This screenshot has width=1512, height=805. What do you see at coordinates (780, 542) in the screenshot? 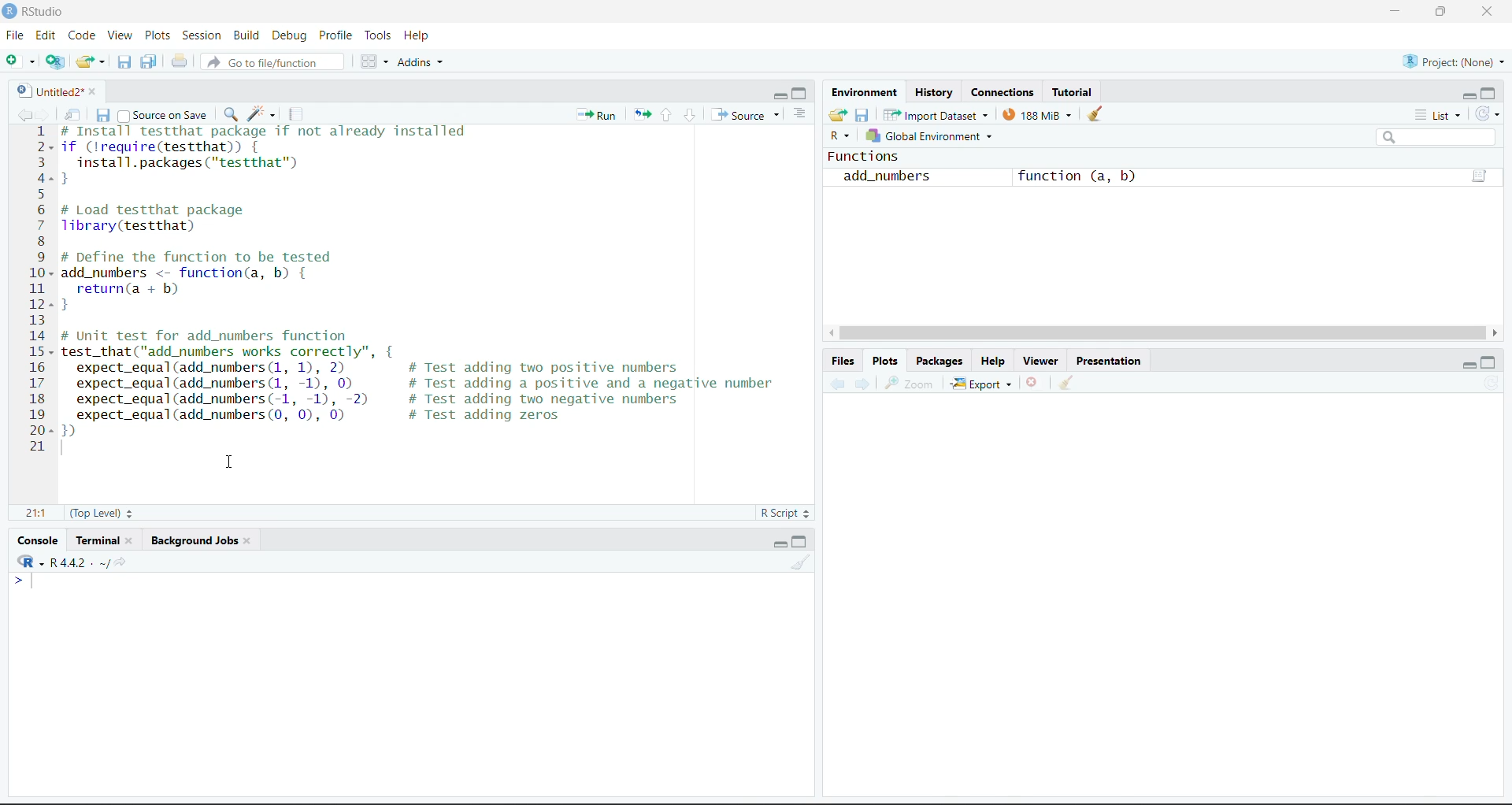
I see `minimize` at bounding box center [780, 542].